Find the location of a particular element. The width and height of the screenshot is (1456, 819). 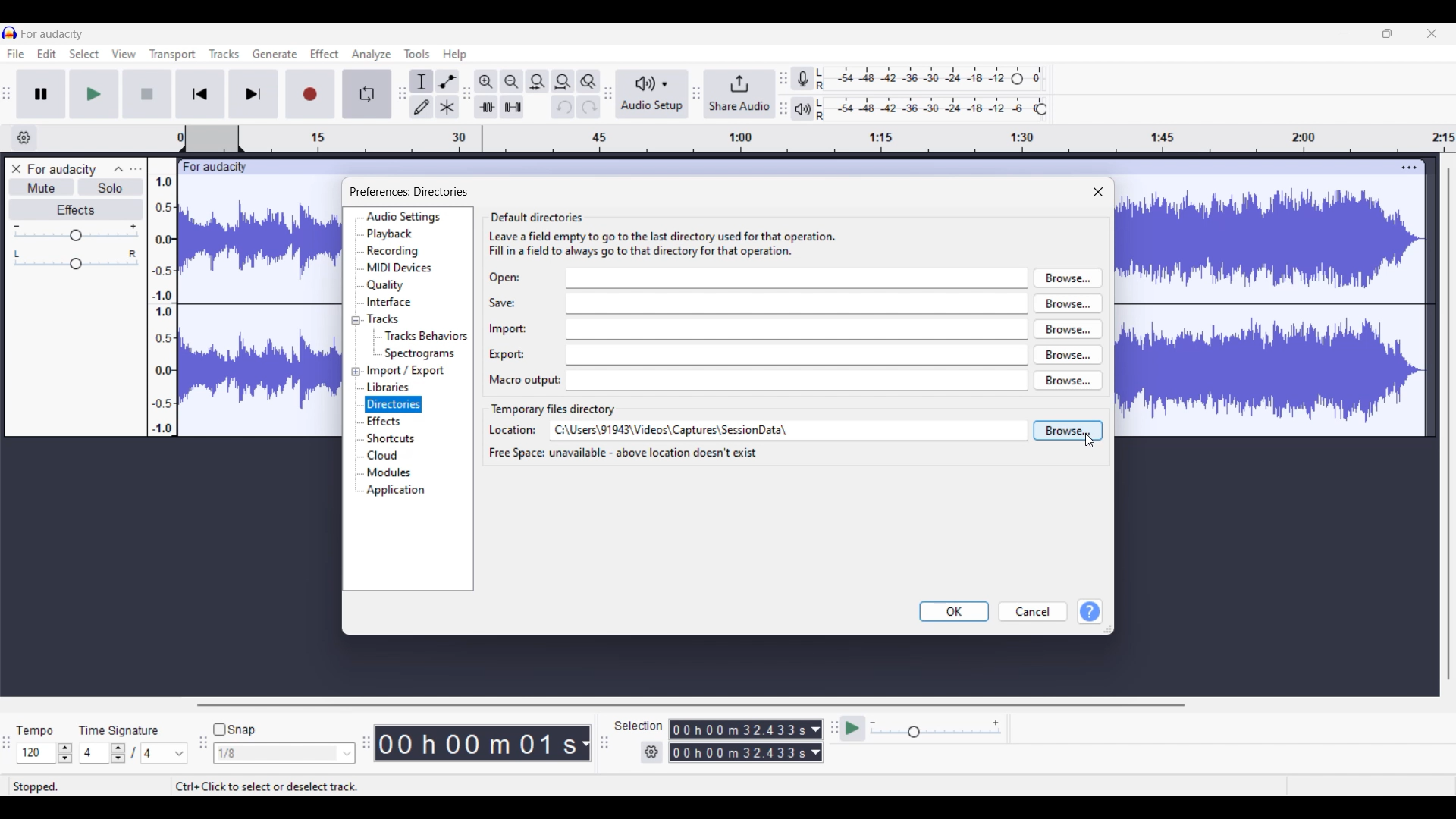

Enable looping is located at coordinates (367, 93).